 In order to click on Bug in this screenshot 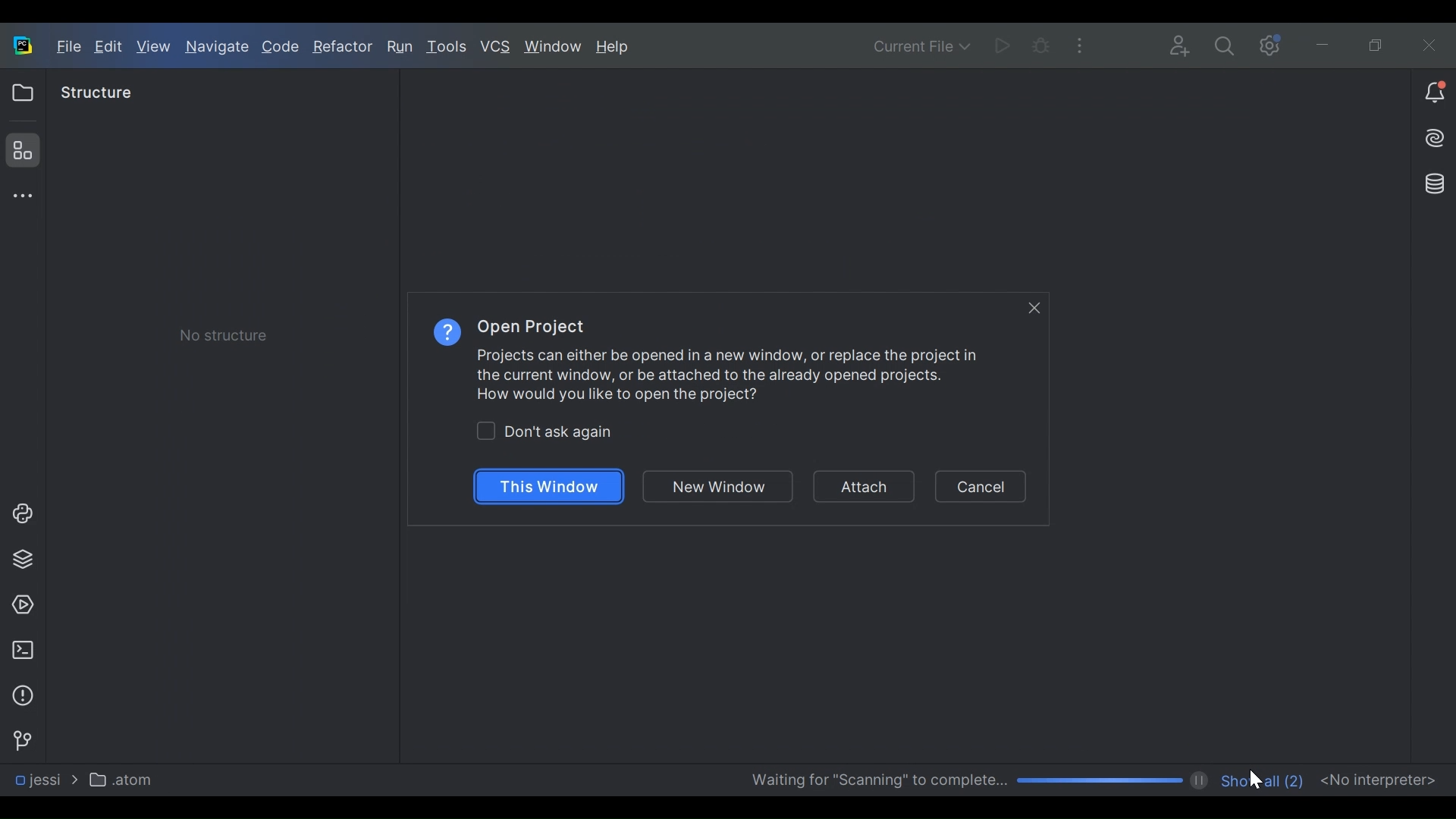, I will do `click(1040, 47)`.